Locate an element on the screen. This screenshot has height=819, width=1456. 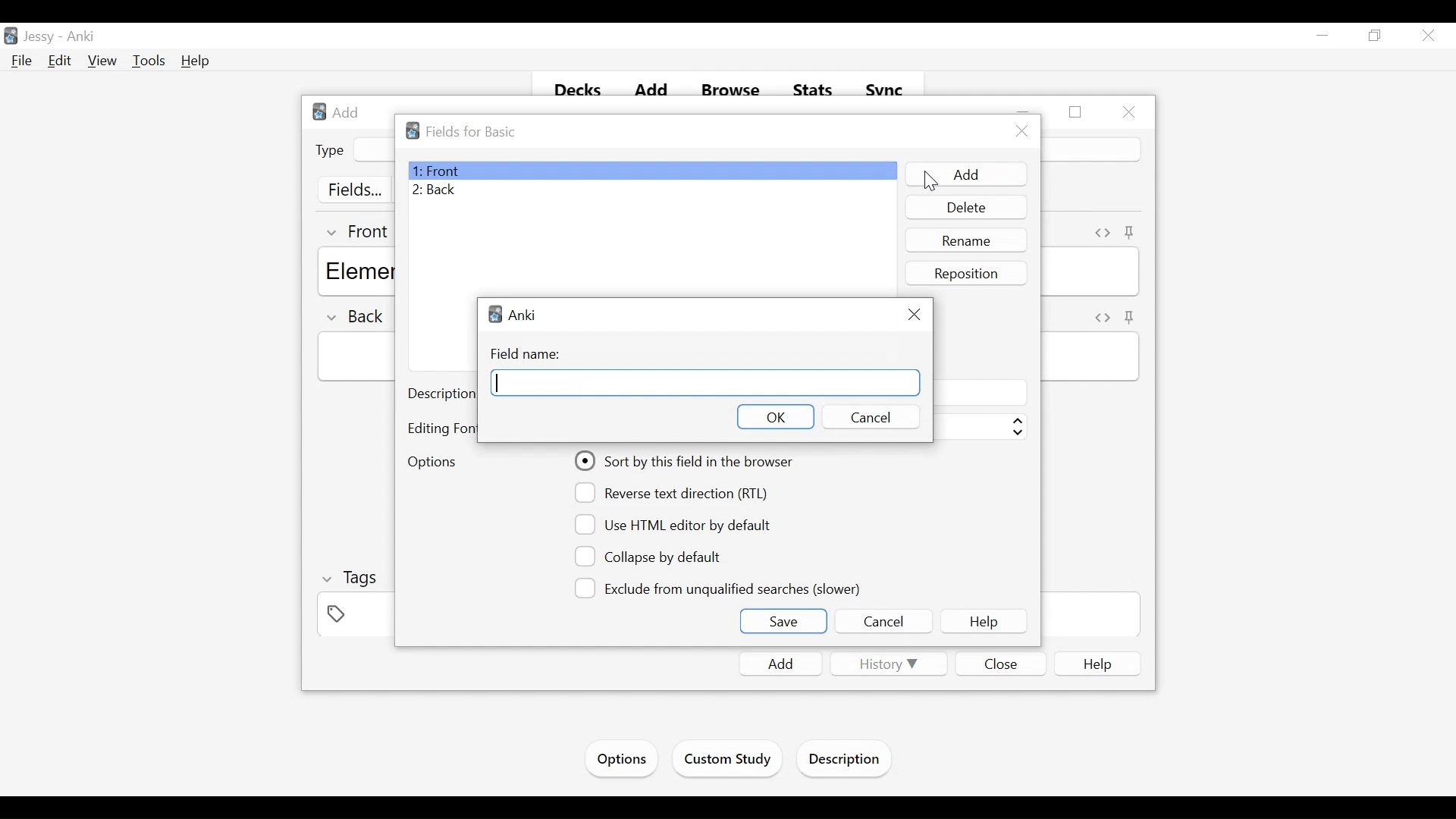
 is located at coordinates (965, 174).